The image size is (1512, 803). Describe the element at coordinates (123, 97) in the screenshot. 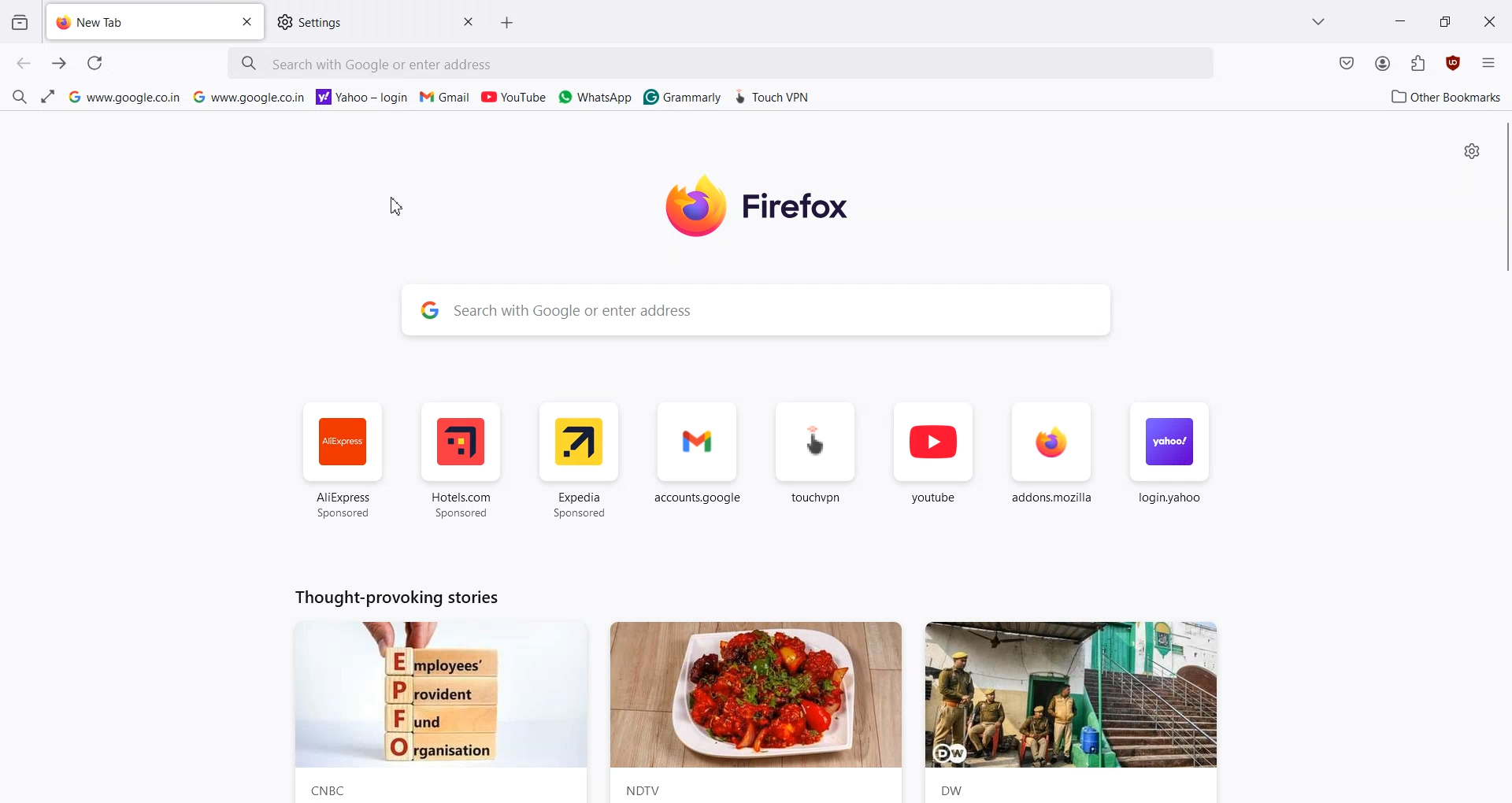

I see `Google Bookmark` at that location.